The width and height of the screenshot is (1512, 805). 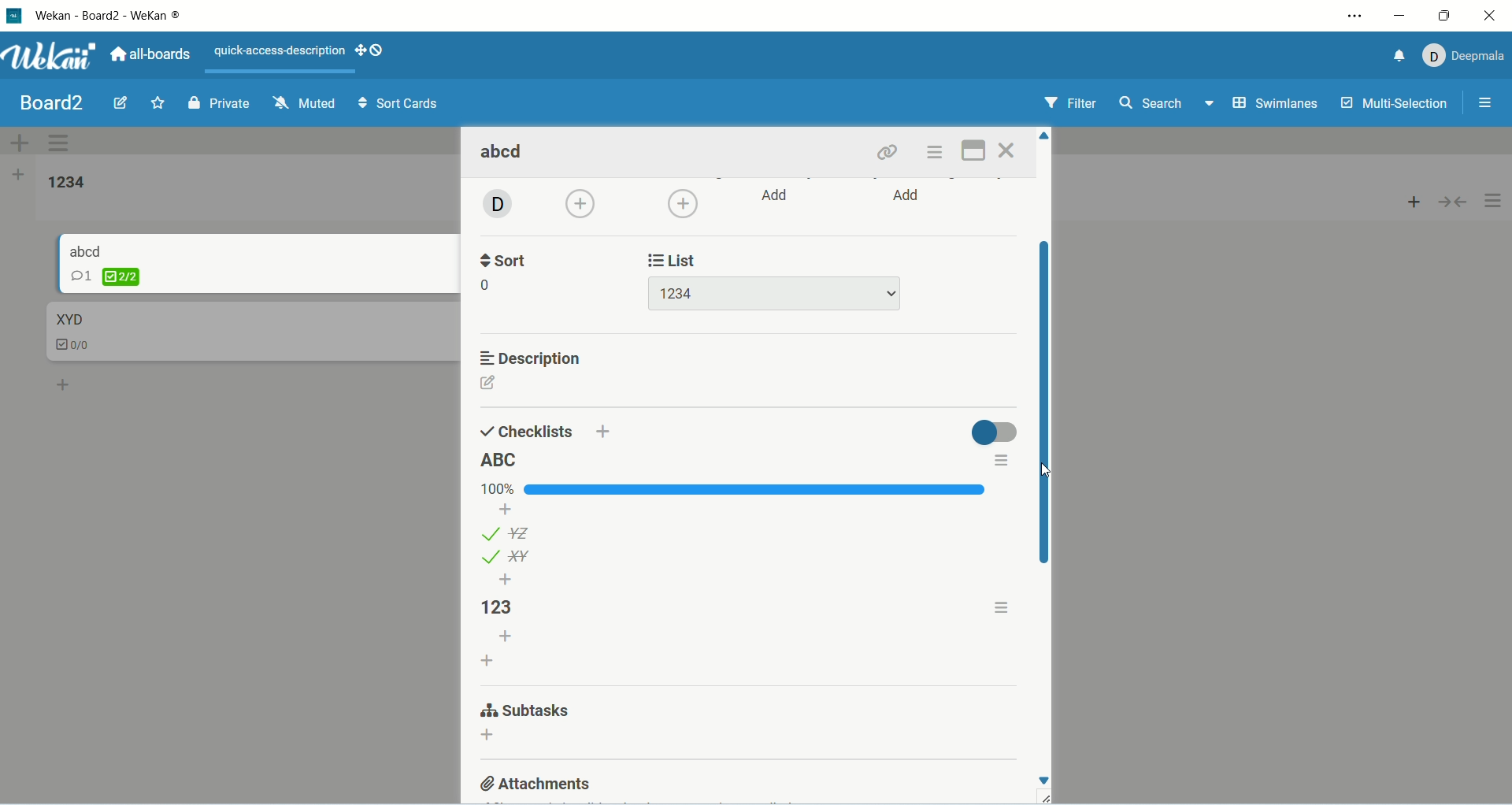 I want to click on list, so click(x=508, y=532).